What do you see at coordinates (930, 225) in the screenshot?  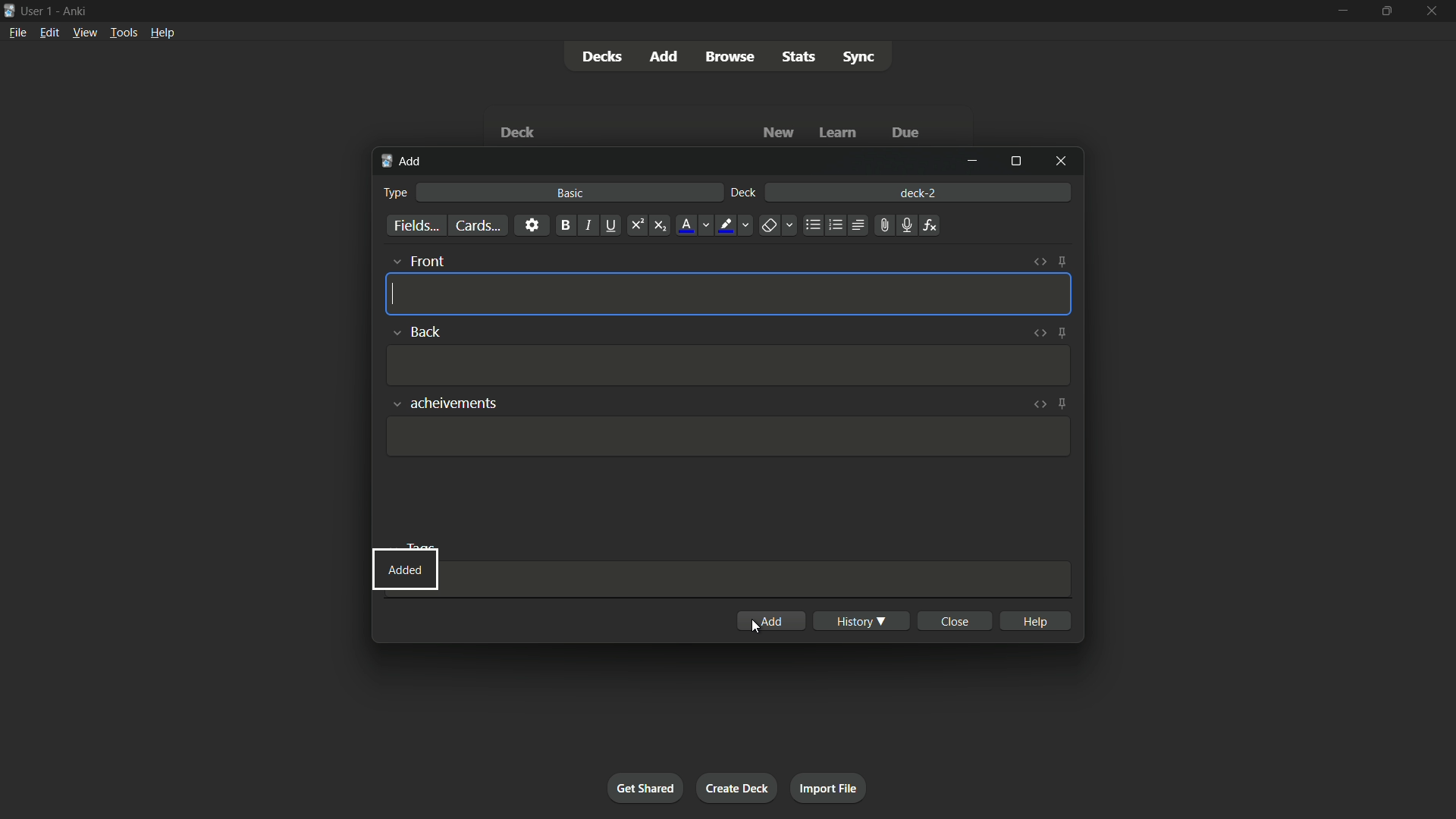 I see `equations` at bounding box center [930, 225].